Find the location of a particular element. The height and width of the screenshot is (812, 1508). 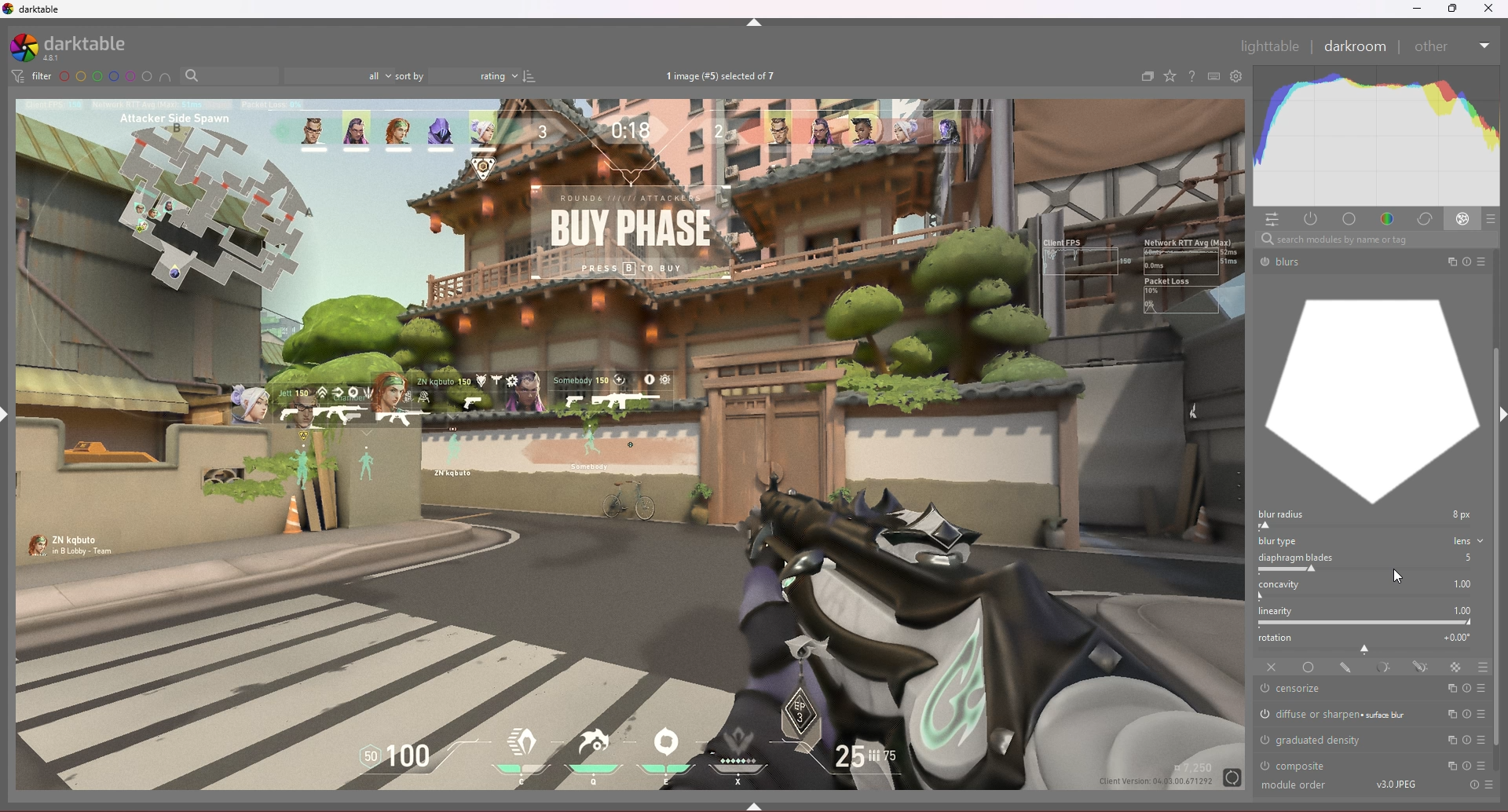

heat graph is located at coordinates (1376, 136).